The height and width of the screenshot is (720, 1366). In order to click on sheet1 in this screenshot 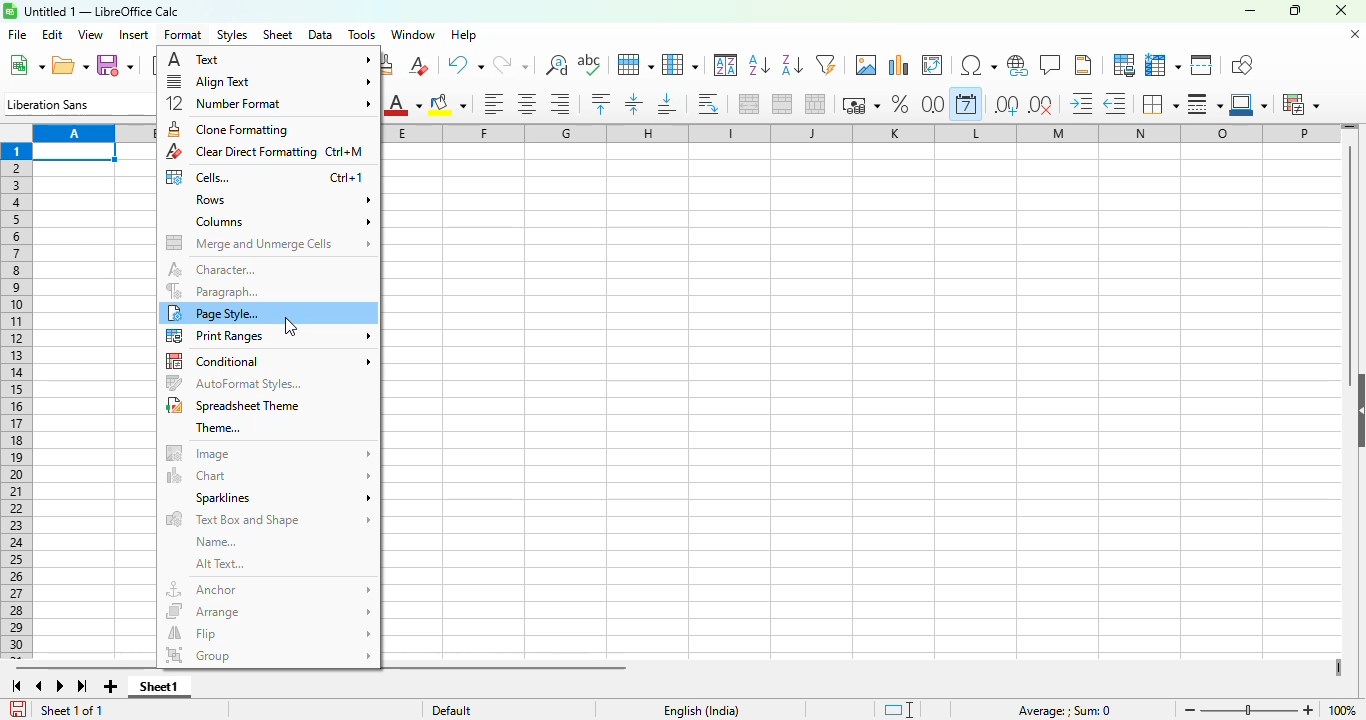, I will do `click(161, 687)`.